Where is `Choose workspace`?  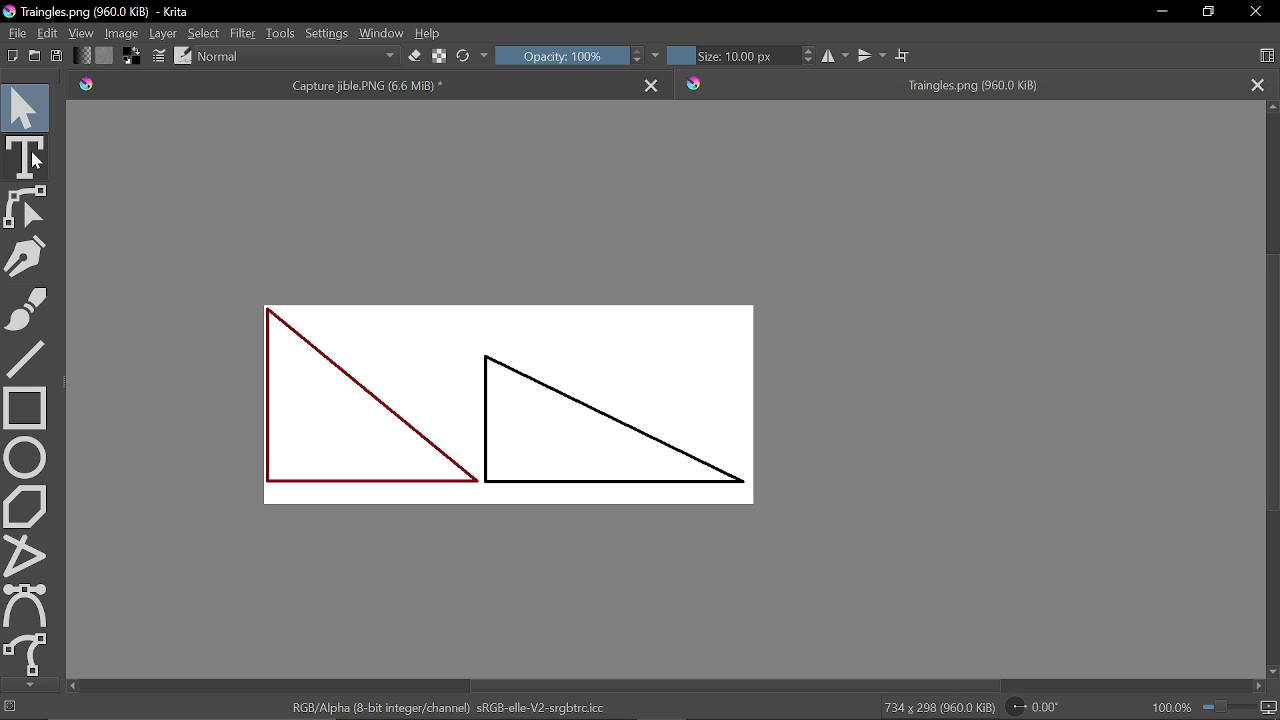
Choose workspace is located at coordinates (1266, 56).